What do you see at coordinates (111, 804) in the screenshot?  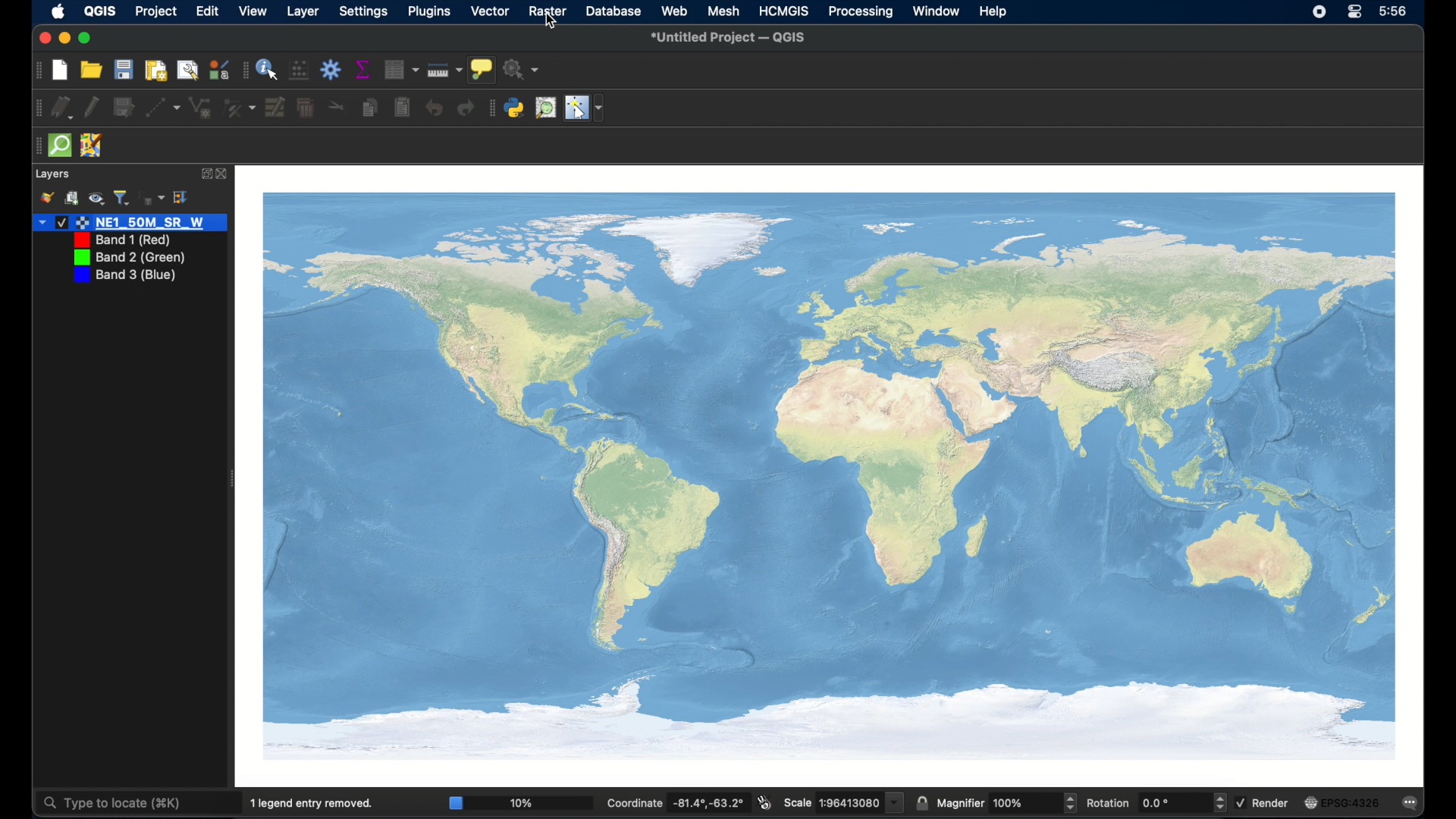 I see `type to locate ` at bounding box center [111, 804].